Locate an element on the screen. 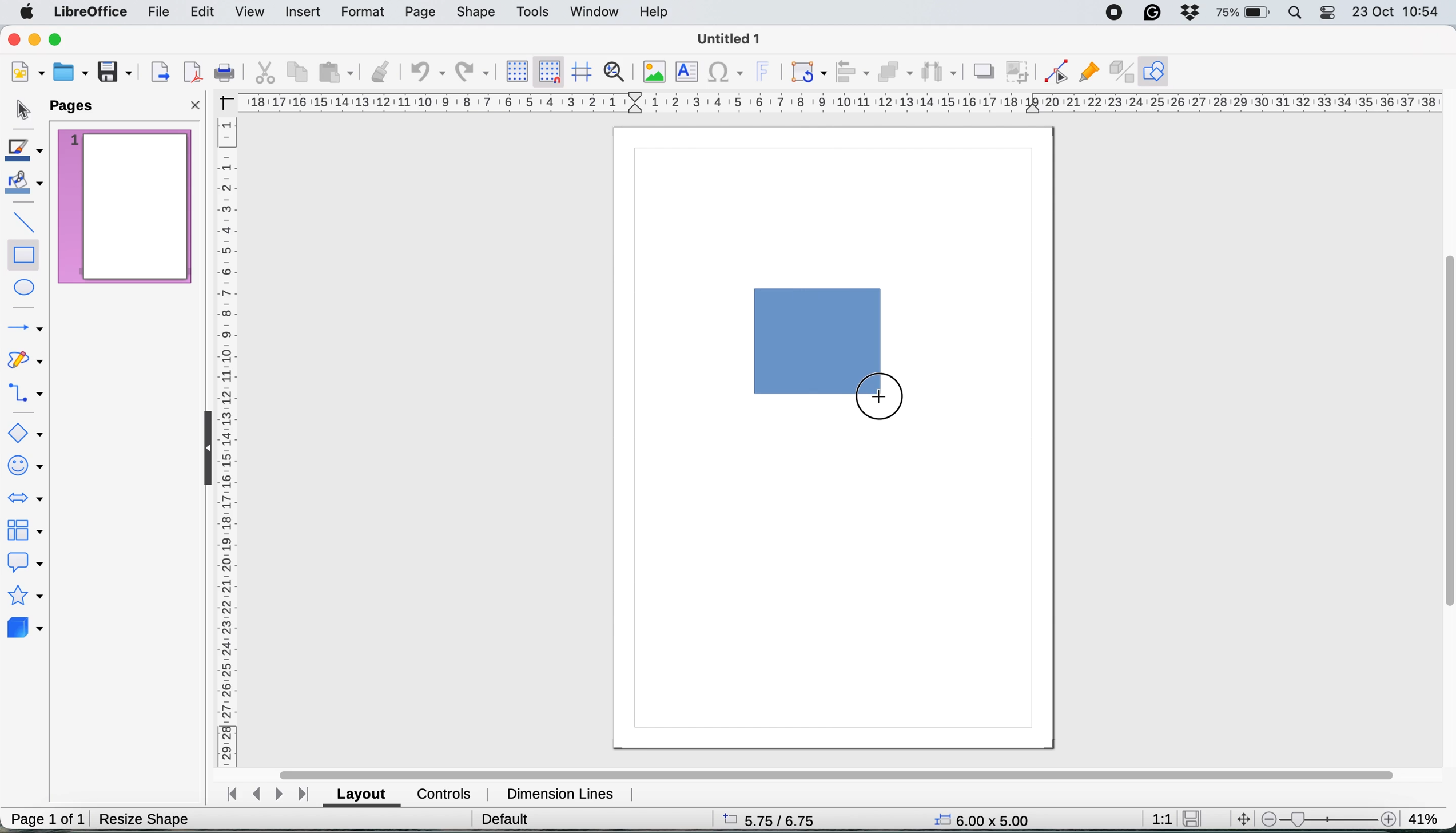 The image size is (1456, 833). dropbox is located at coordinates (1189, 12).